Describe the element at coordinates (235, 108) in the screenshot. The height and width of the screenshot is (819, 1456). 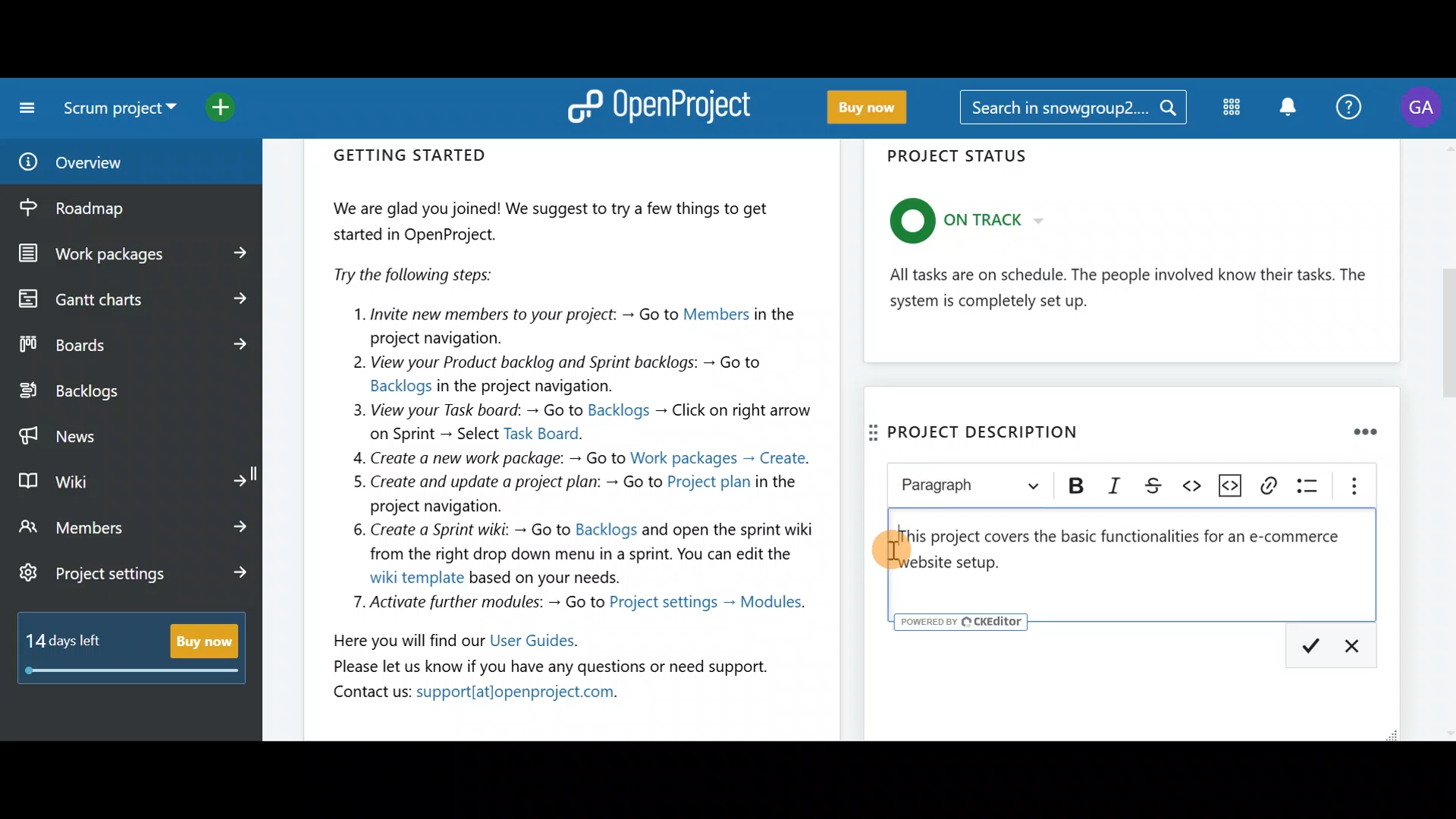
I see `Open quick add menu` at that location.